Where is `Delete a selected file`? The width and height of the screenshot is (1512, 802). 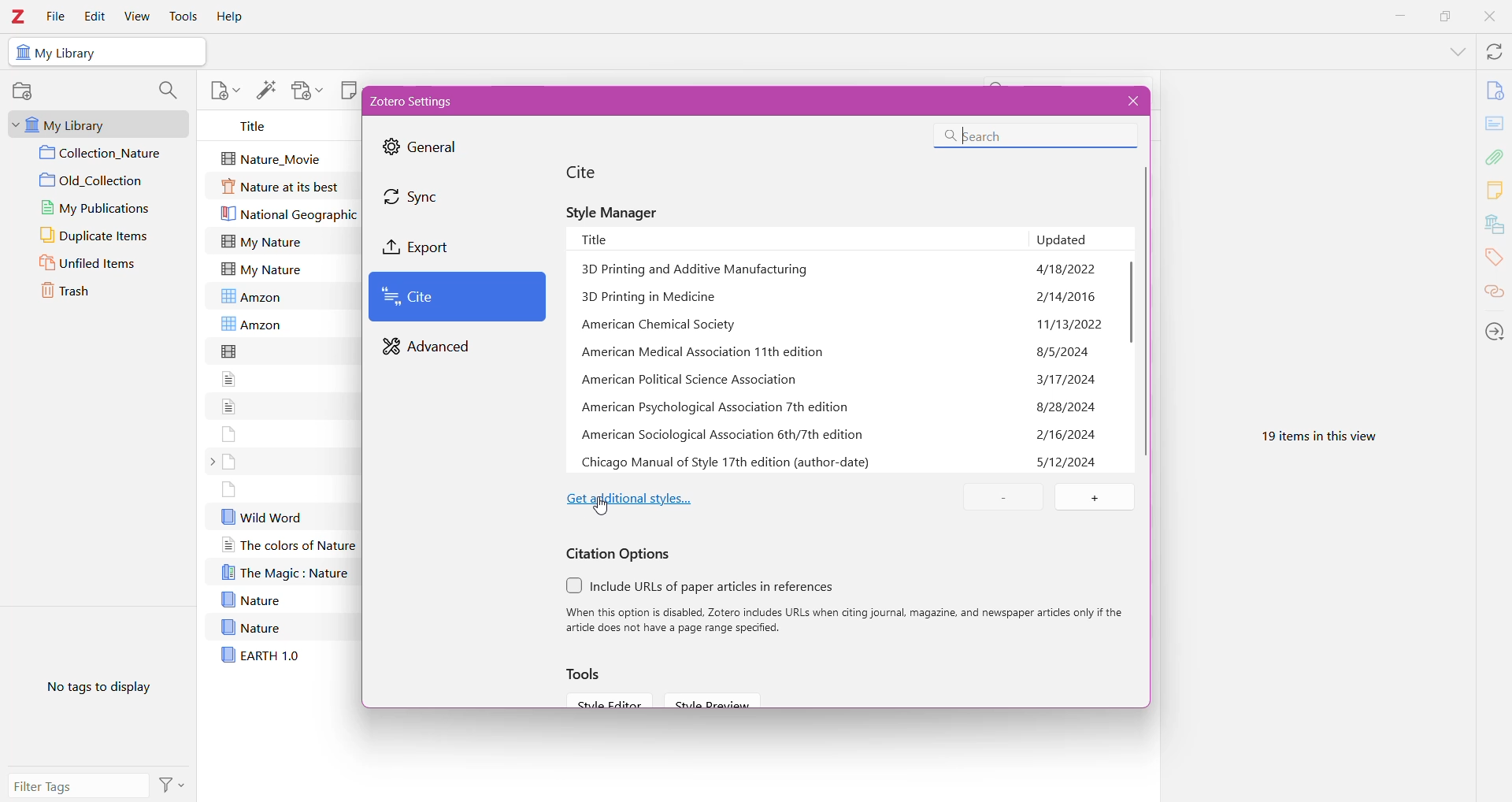
Delete a selected file is located at coordinates (1006, 498).